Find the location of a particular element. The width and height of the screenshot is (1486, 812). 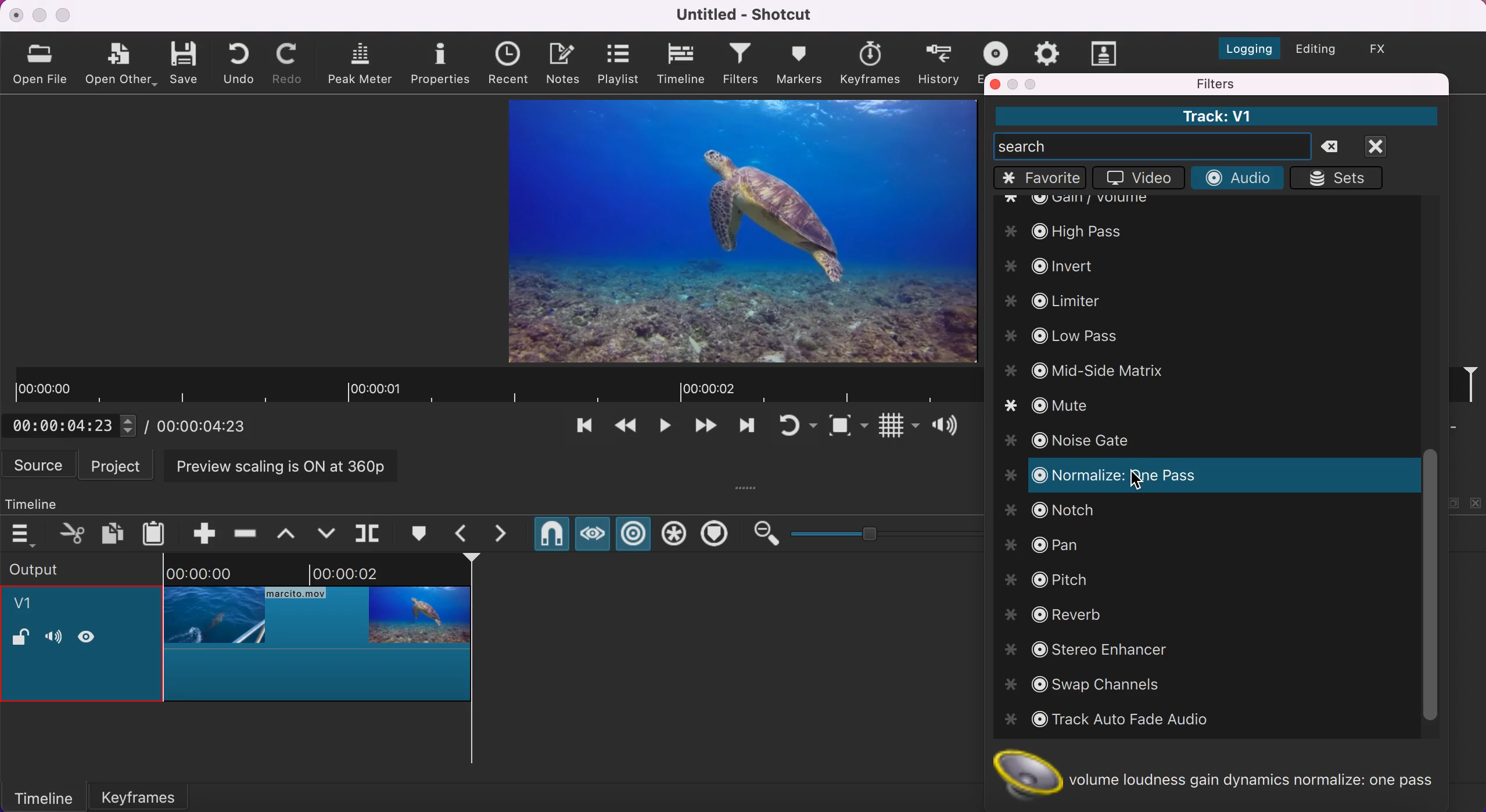

track auto fade audio is located at coordinates (1112, 720).